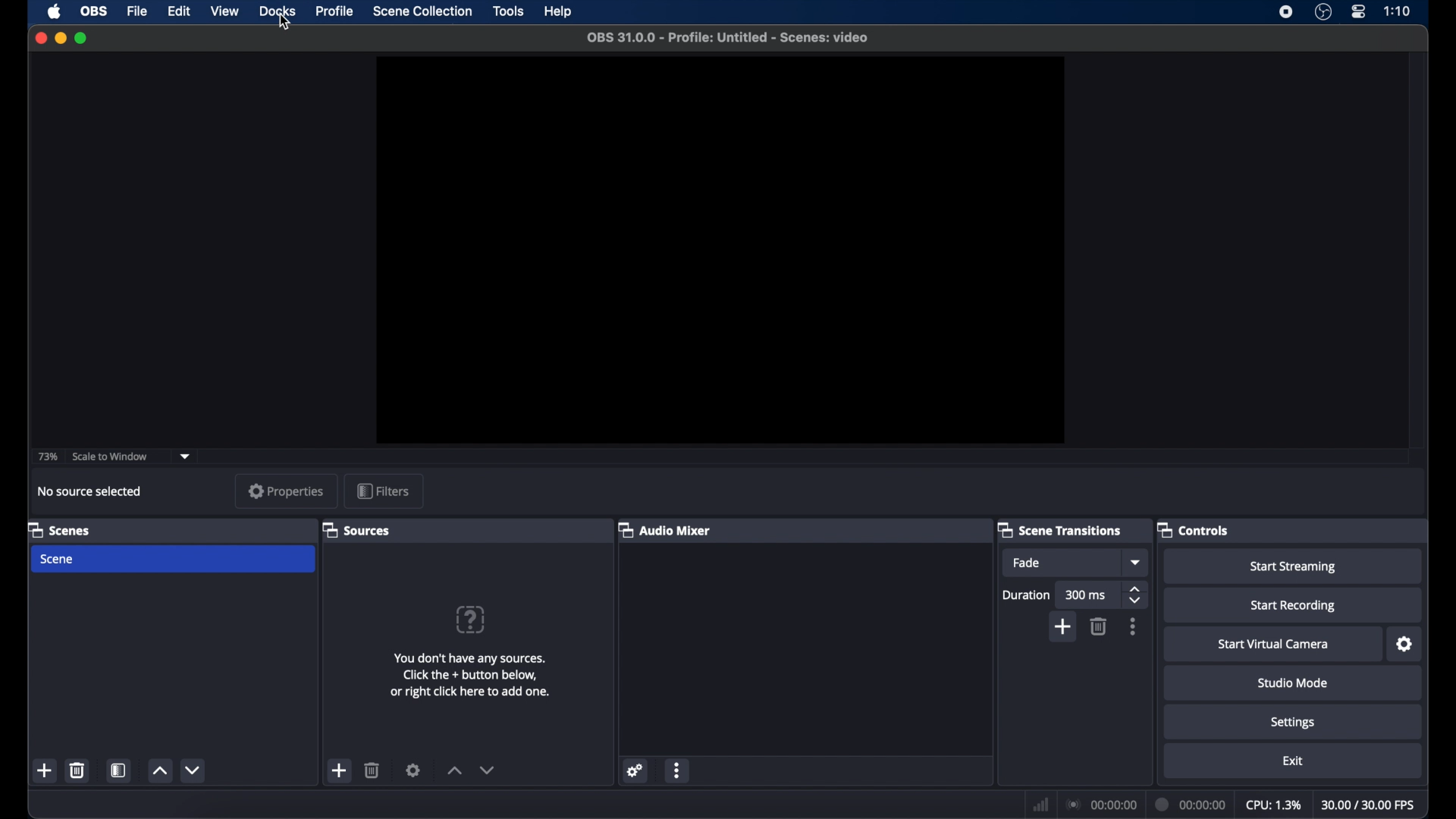  Describe the element at coordinates (282, 24) in the screenshot. I see `Cursor` at that location.